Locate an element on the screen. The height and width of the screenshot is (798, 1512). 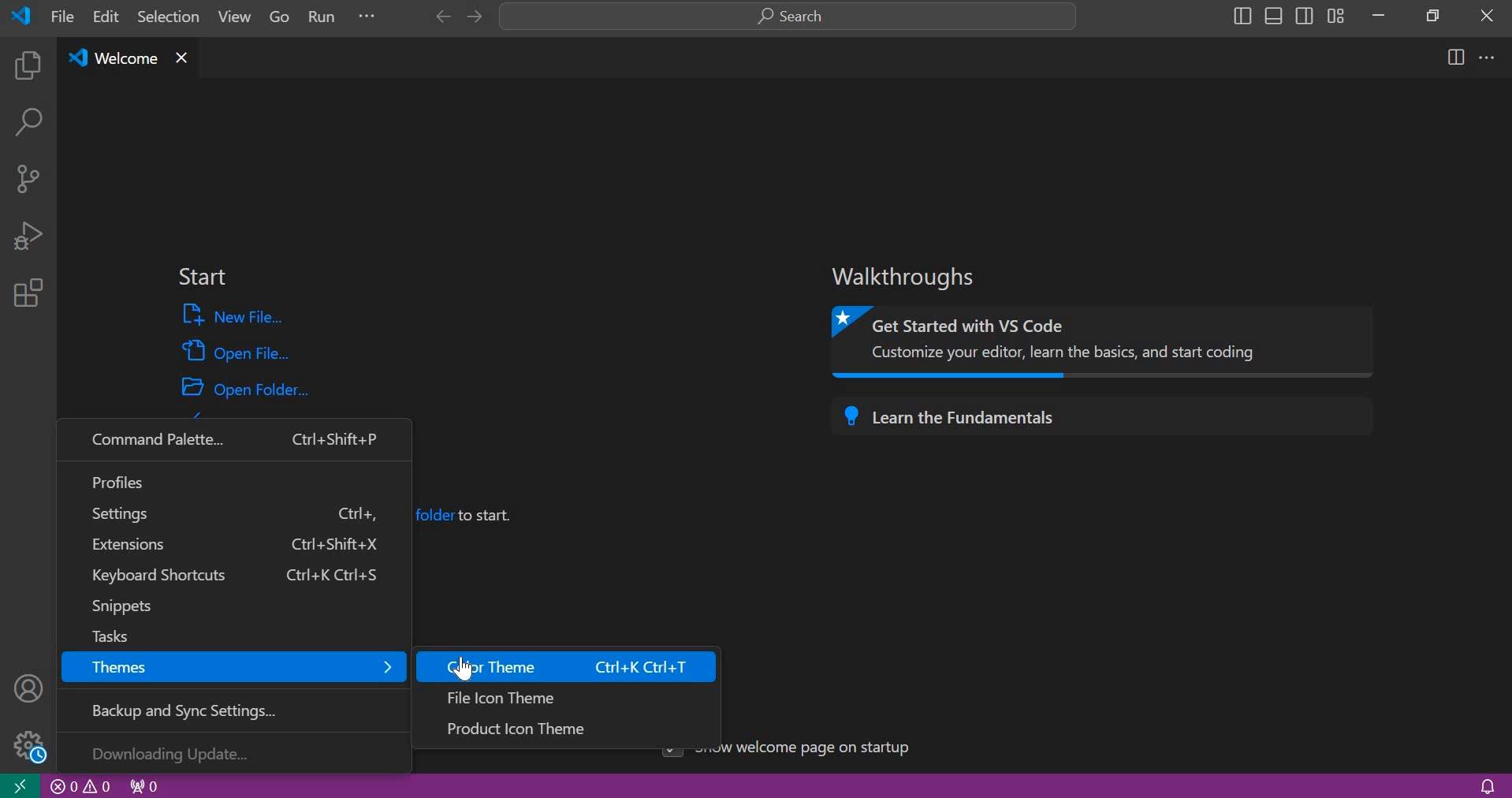
file Icon theme is located at coordinates (567, 695).